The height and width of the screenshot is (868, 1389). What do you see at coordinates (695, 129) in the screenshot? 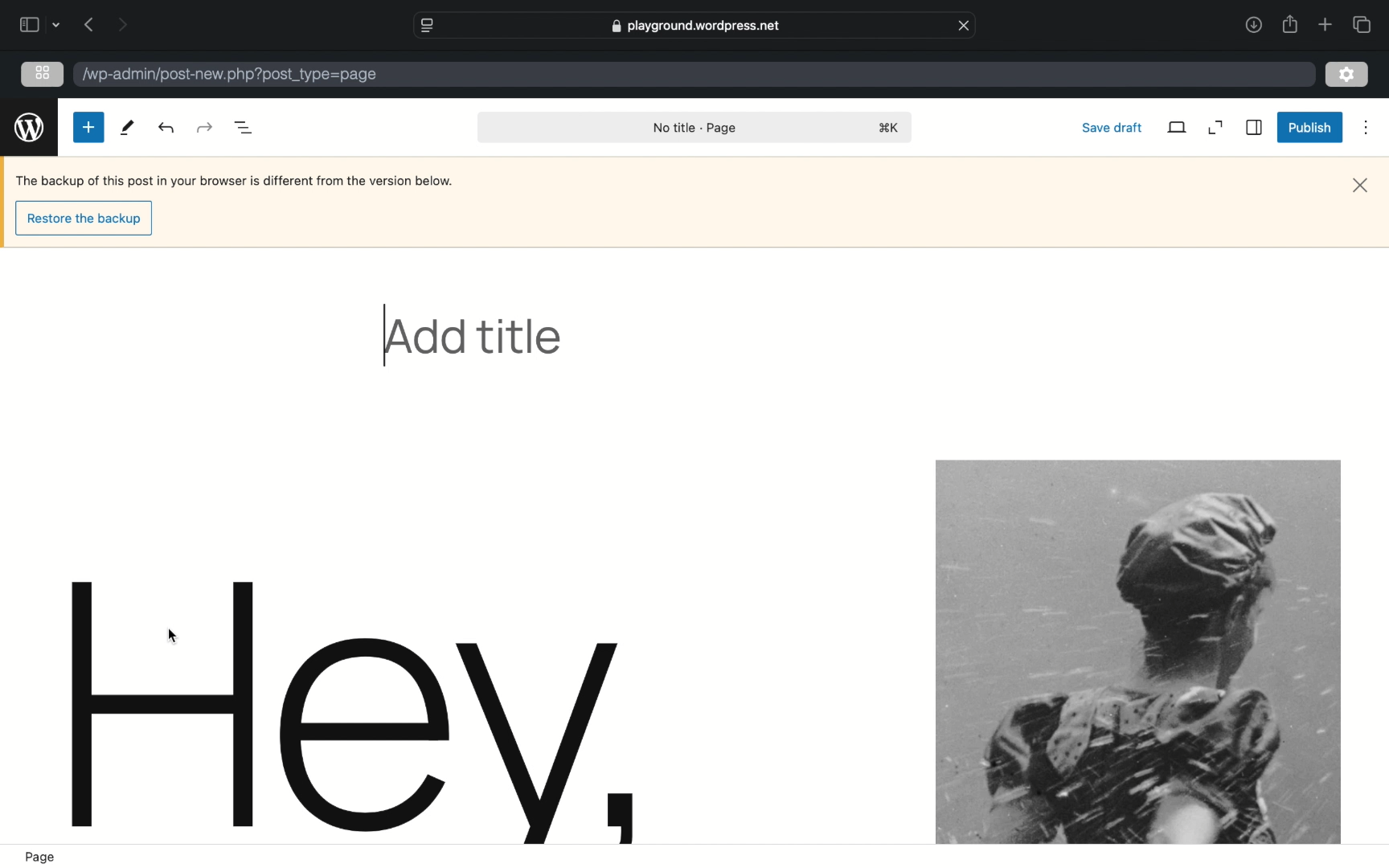
I see `no title - page` at bounding box center [695, 129].